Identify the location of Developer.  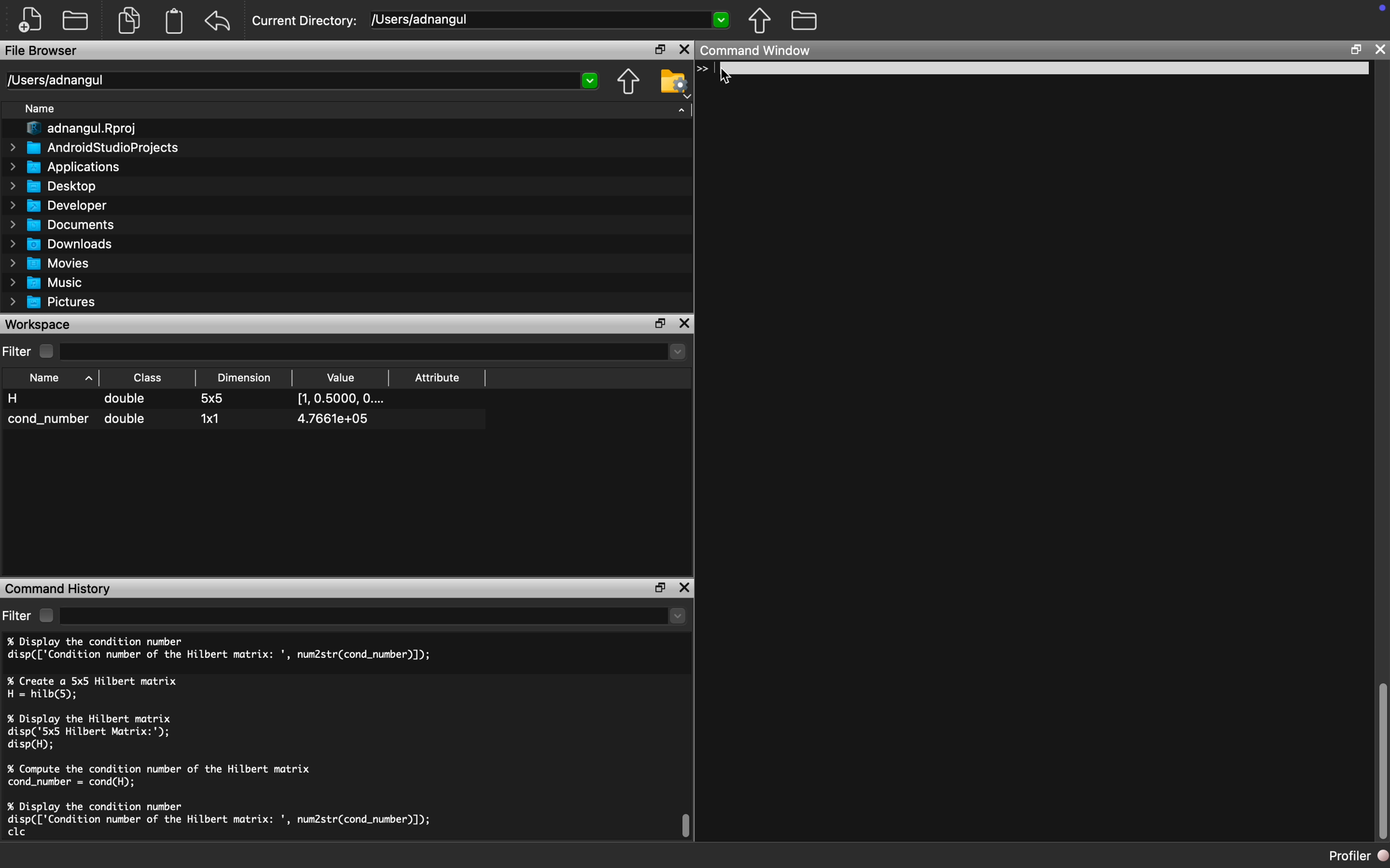
(57, 205).